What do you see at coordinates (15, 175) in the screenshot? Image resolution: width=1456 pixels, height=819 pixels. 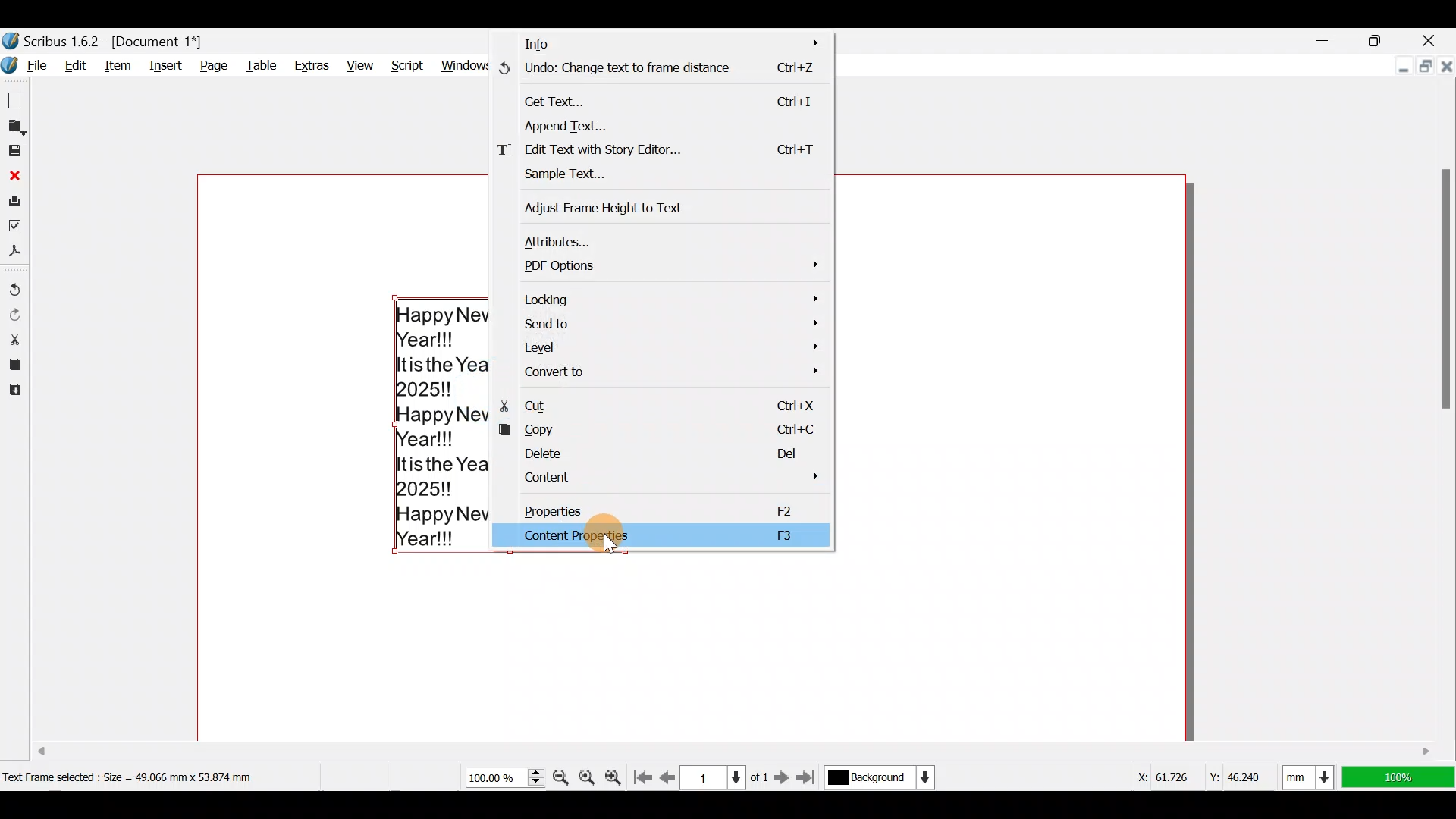 I see `Close` at bounding box center [15, 175].